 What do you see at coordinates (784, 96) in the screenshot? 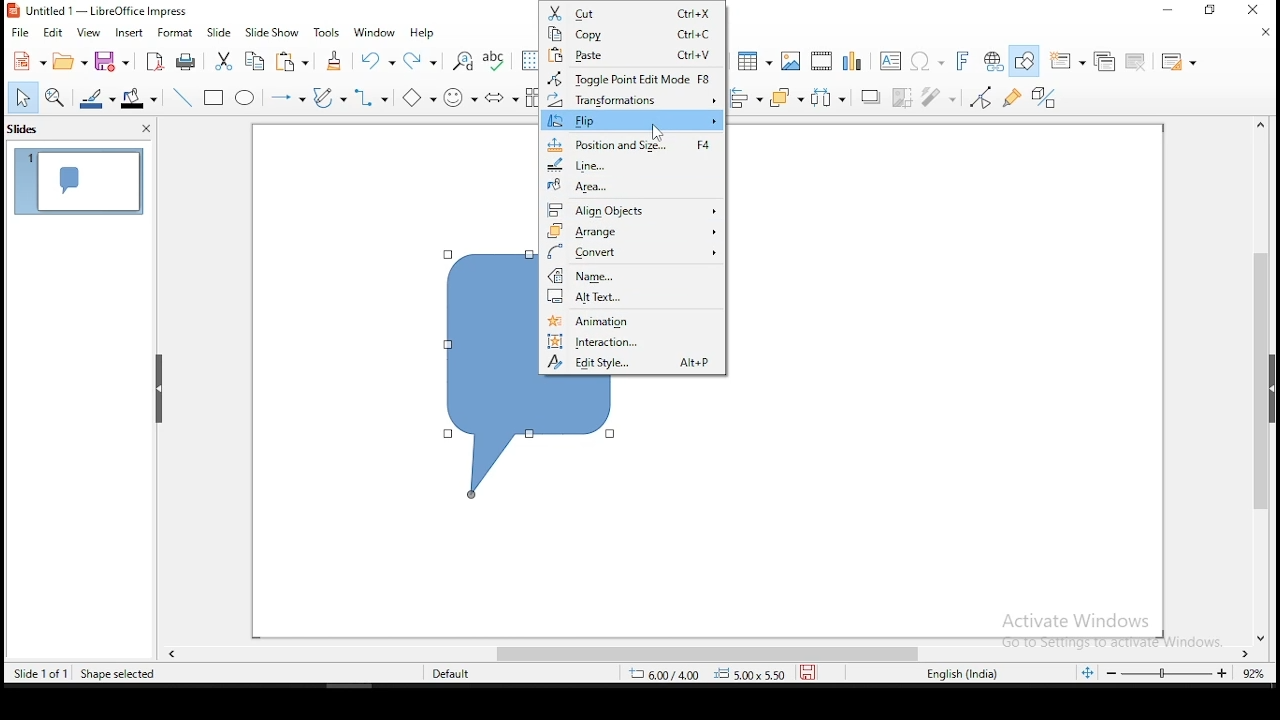
I see `arrange` at bounding box center [784, 96].